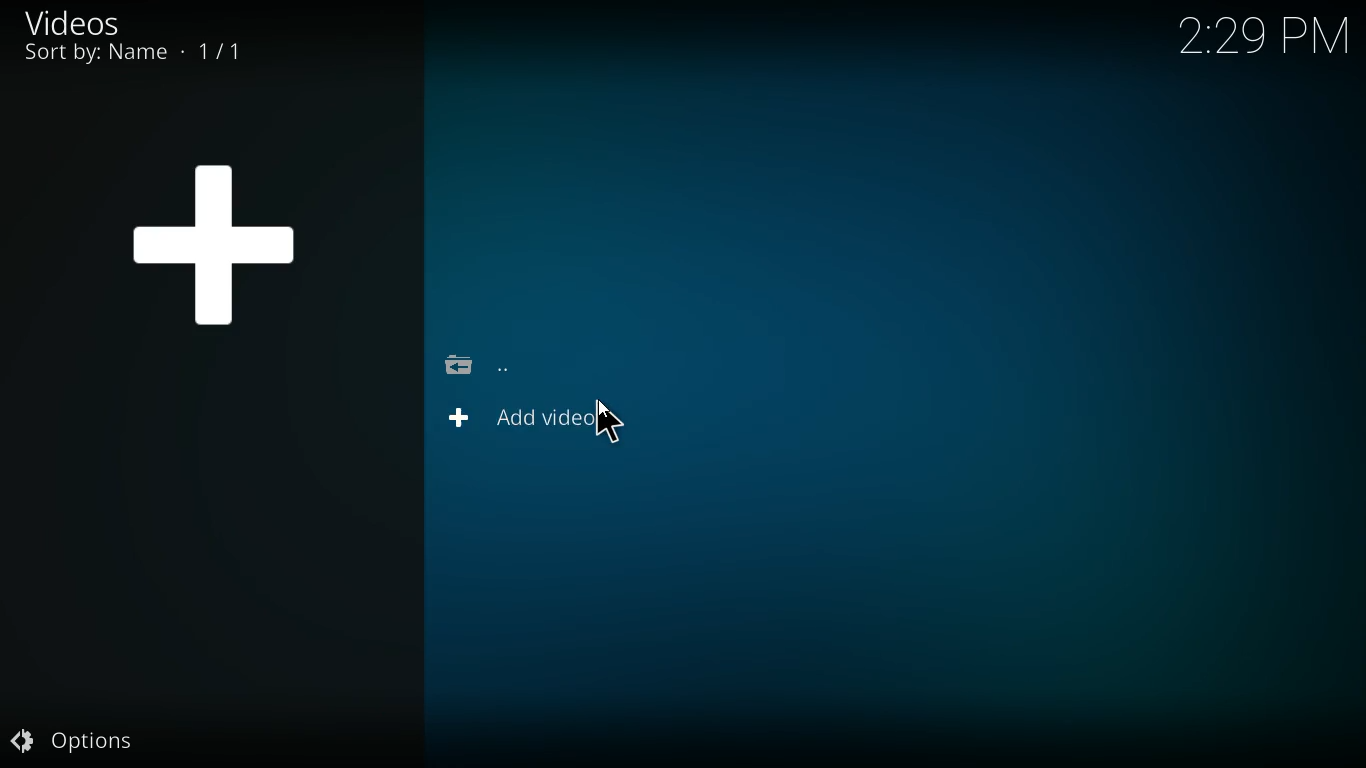 The width and height of the screenshot is (1366, 768). Describe the element at coordinates (1264, 41) in the screenshot. I see `2:29 PM` at that location.